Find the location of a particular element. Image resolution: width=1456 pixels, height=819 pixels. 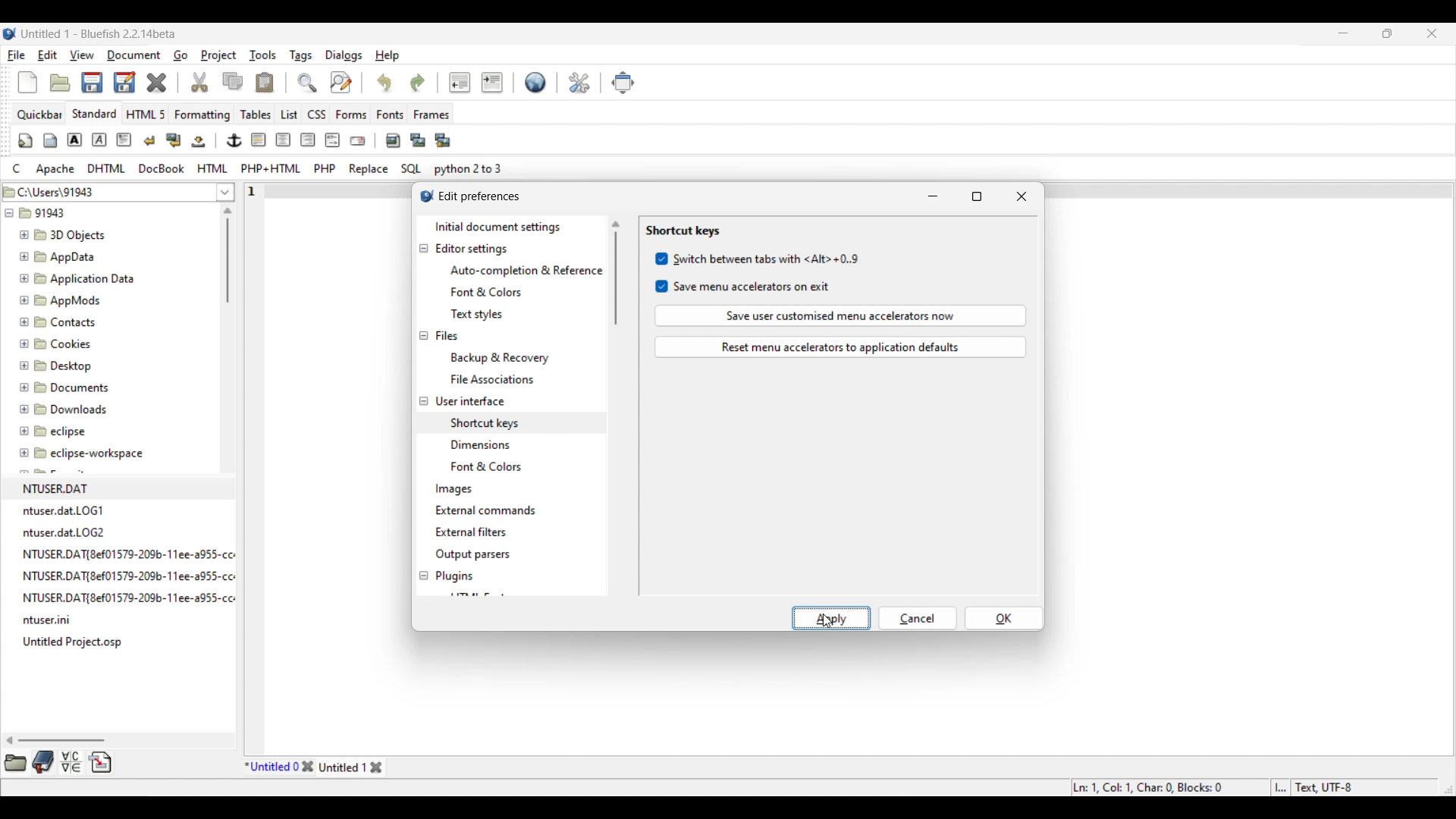

Horizontal slide bar is located at coordinates (56, 740).